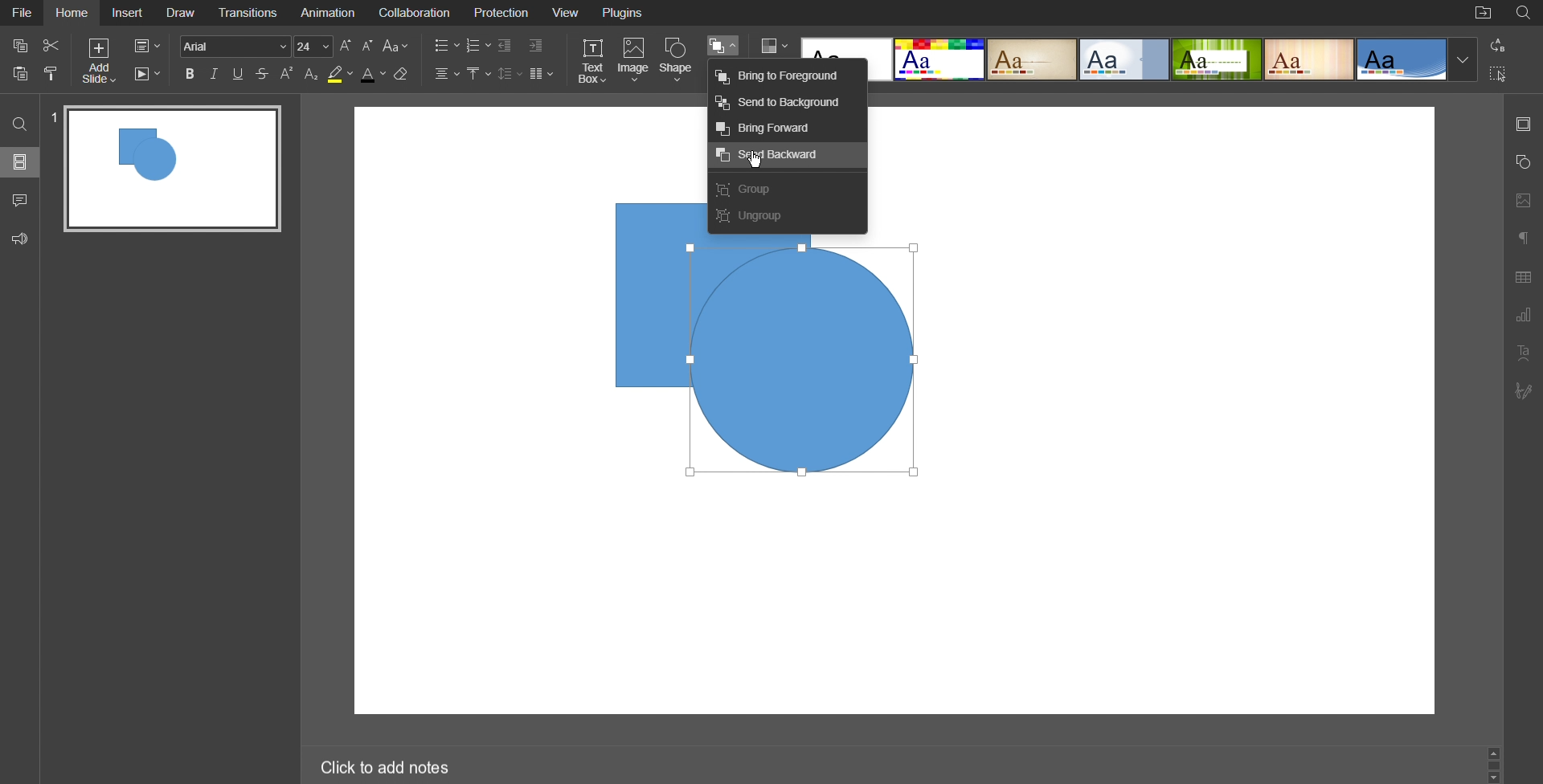 The height and width of the screenshot is (784, 1543). What do you see at coordinates (1308, 59) in the screenshot?
I see `Lines` at bounding box center [1308, 59].